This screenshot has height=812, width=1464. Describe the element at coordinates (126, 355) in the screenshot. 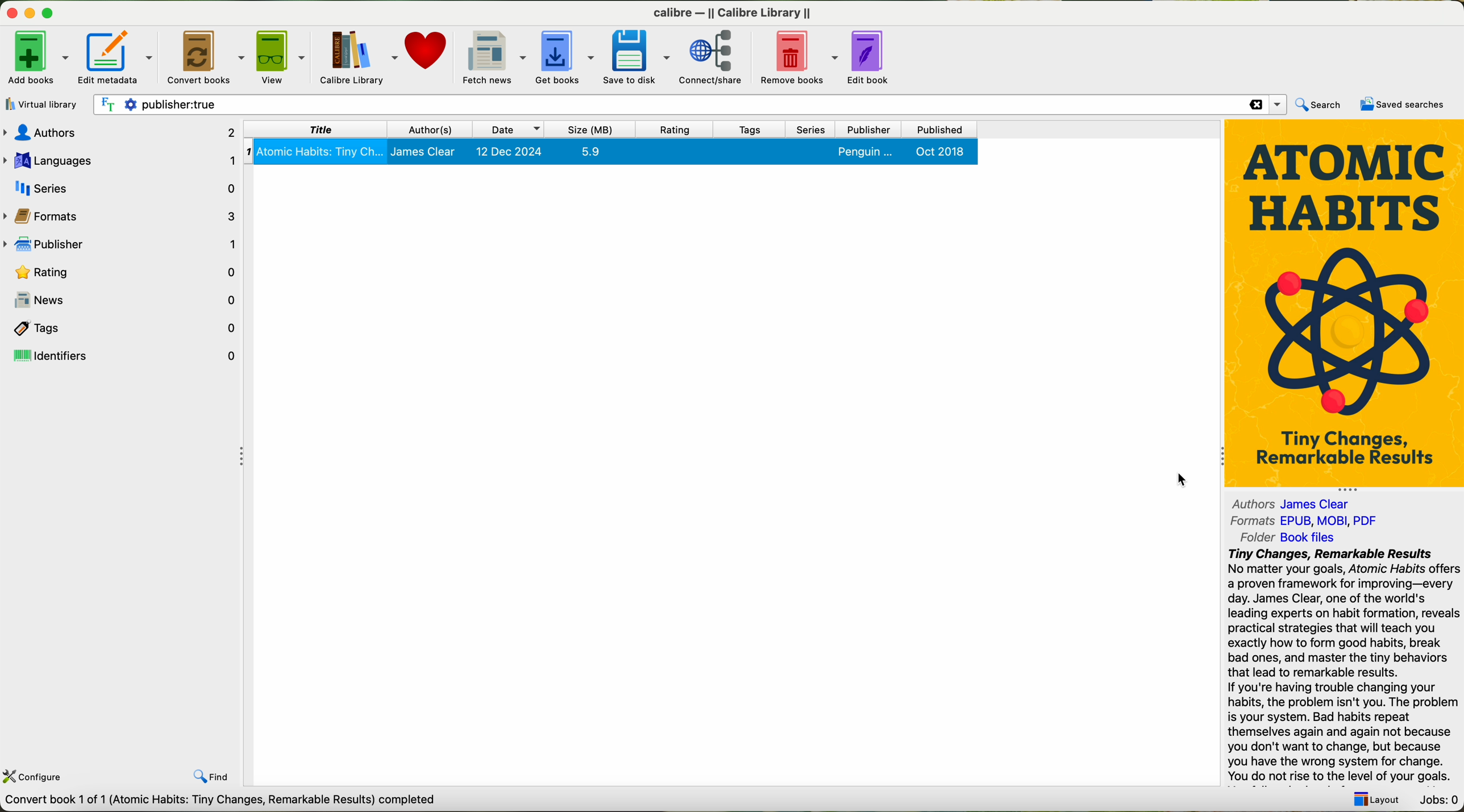

I see `identifiers` at that location.